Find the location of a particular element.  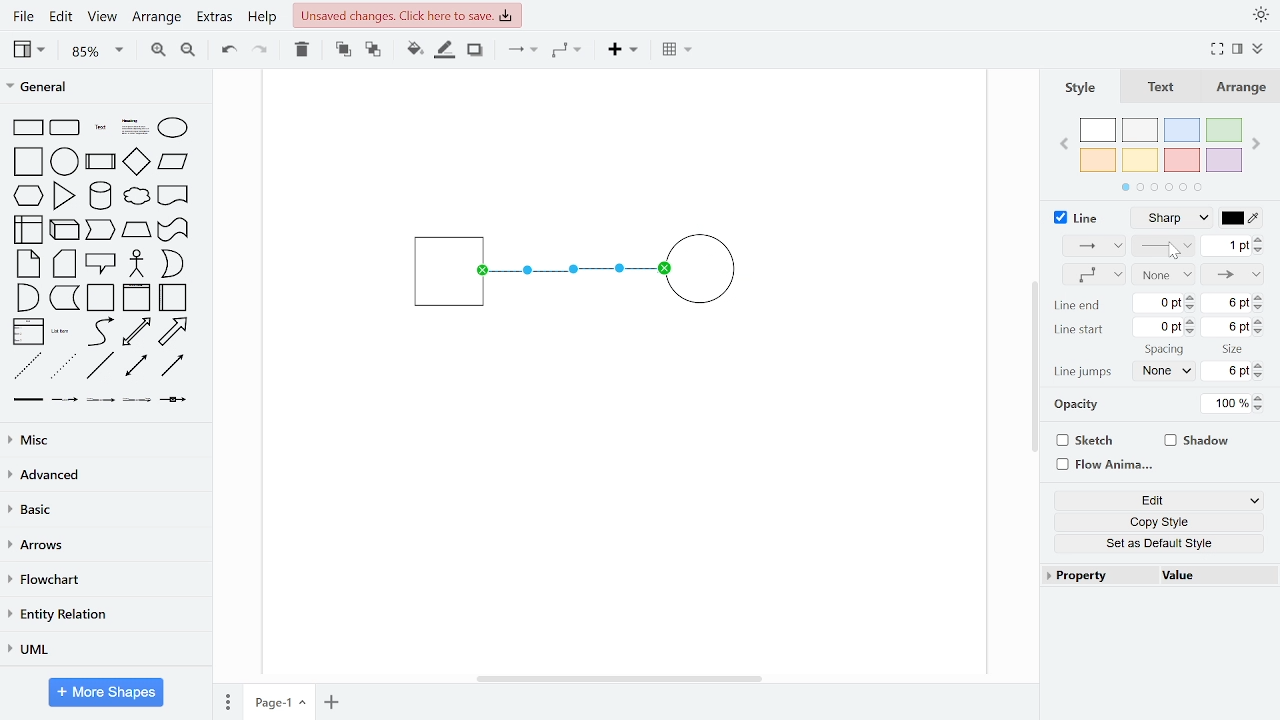

horizontal container is located at coordinates (174, 297).